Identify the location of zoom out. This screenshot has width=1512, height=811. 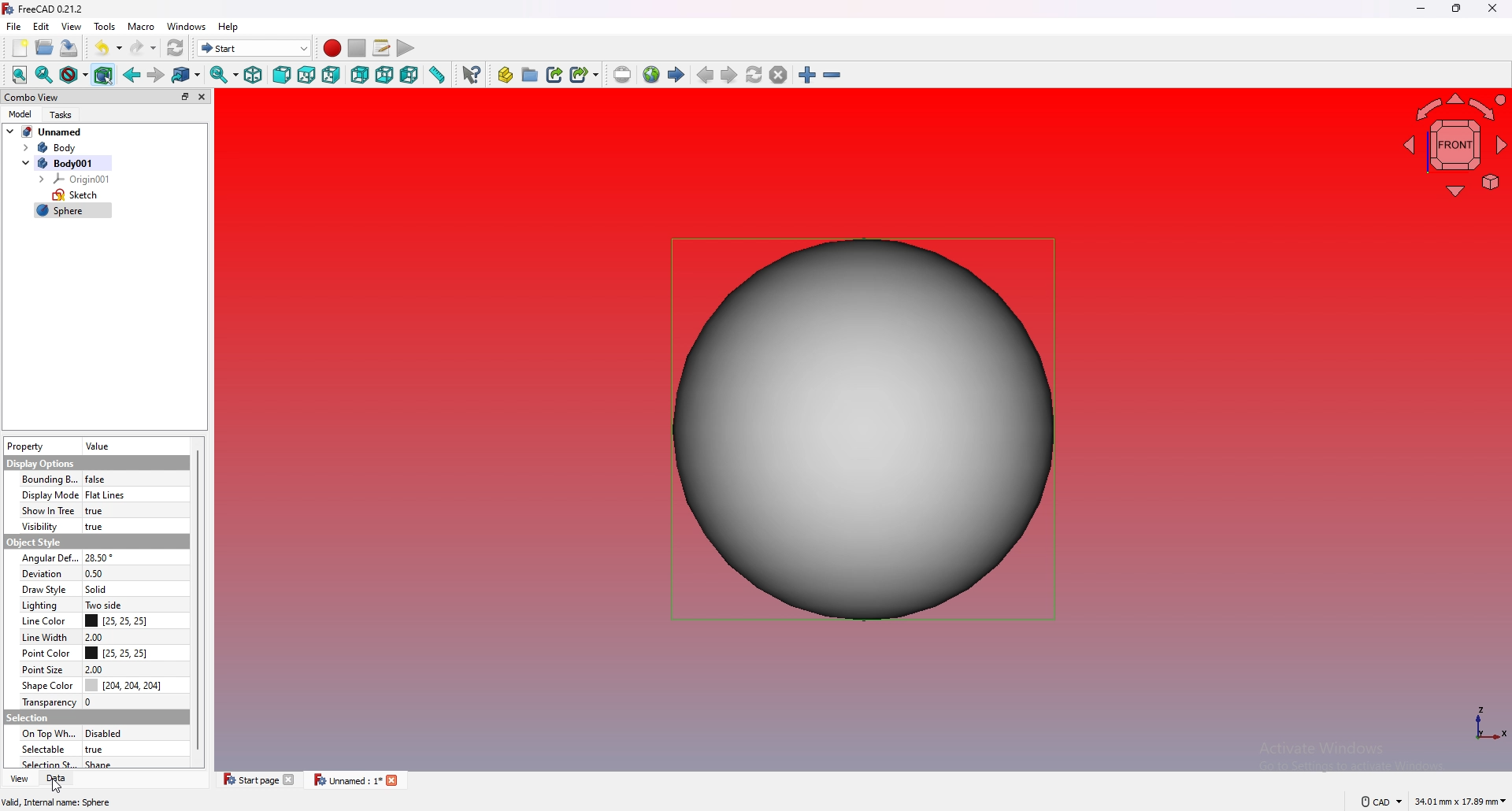
(831, 75).